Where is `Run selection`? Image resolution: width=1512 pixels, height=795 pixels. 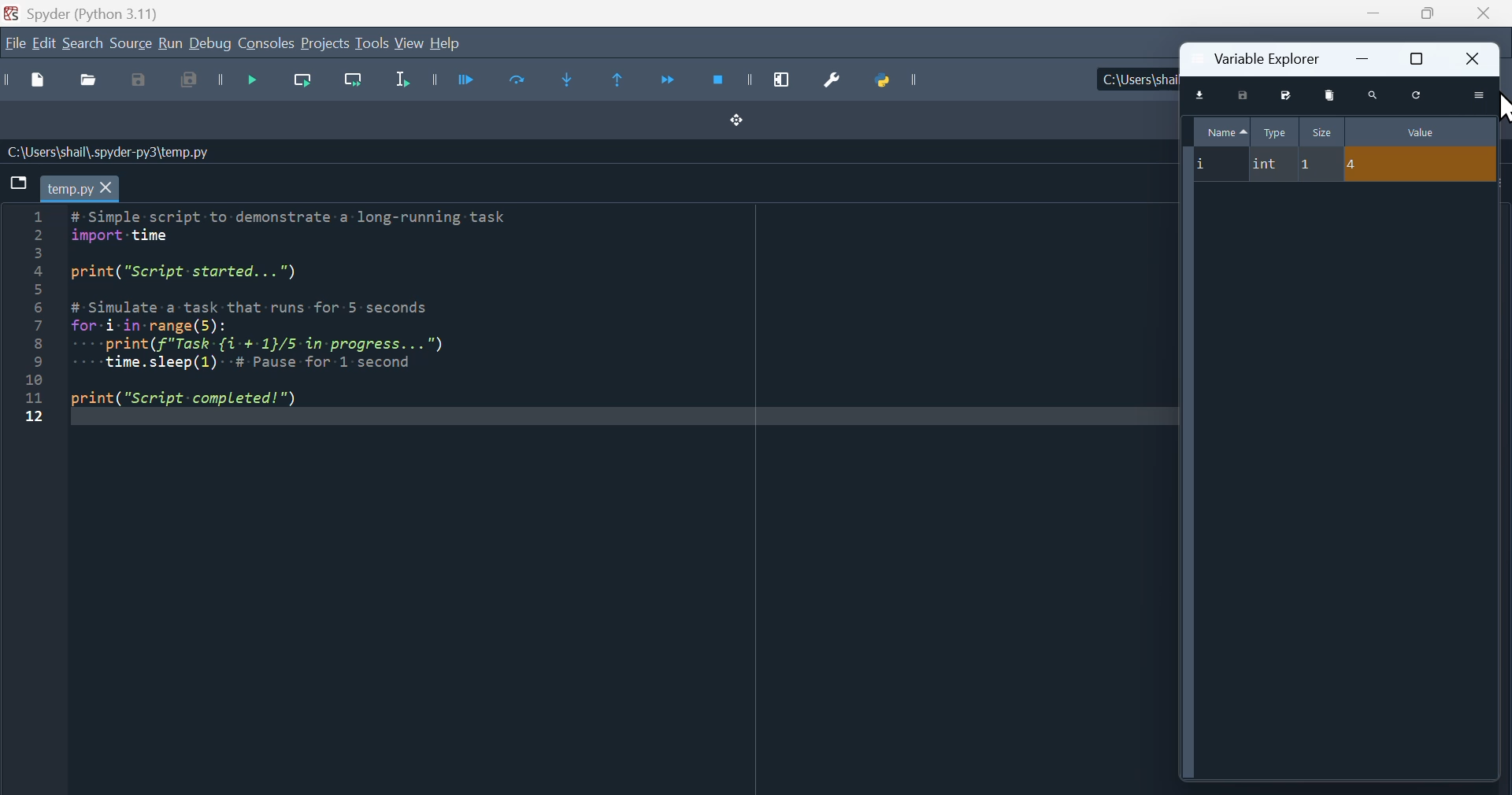
Run selection is located at coordinates (402, 84).